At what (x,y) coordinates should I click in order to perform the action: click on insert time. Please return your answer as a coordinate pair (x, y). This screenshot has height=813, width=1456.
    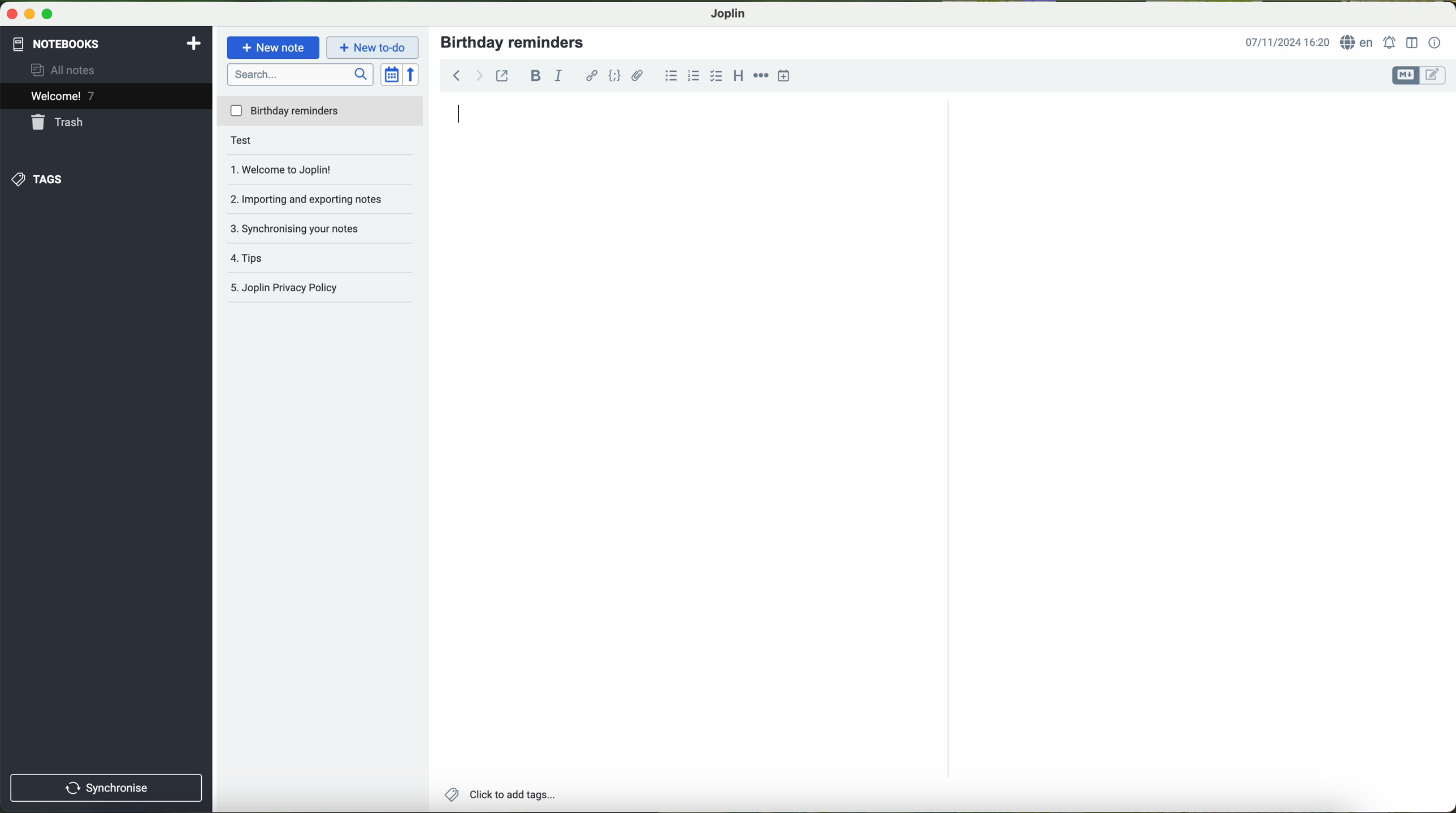
    Looking at the image, I should click on (782, 76).